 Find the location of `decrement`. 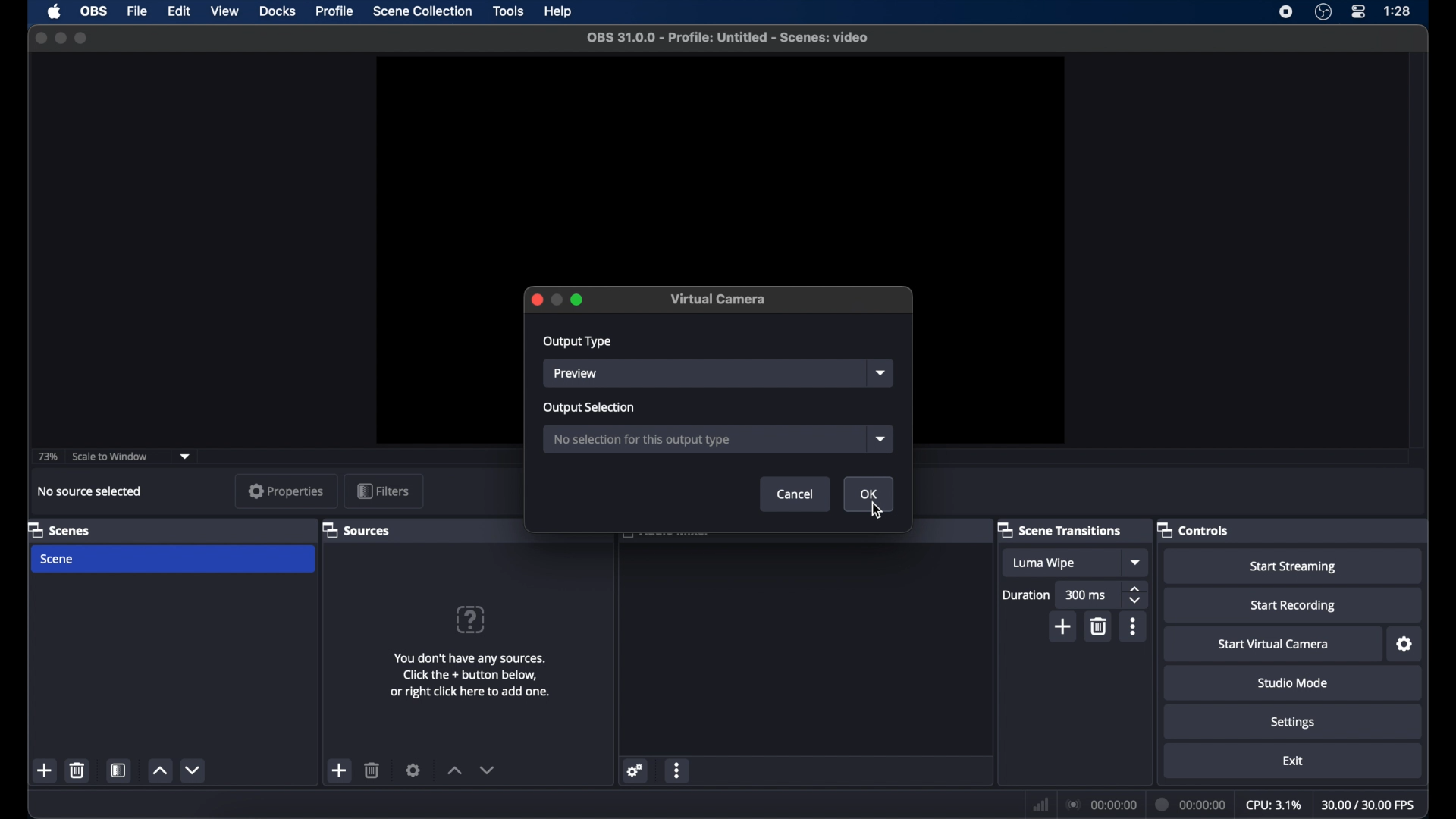

decrement is located at coordinates (488, 772).